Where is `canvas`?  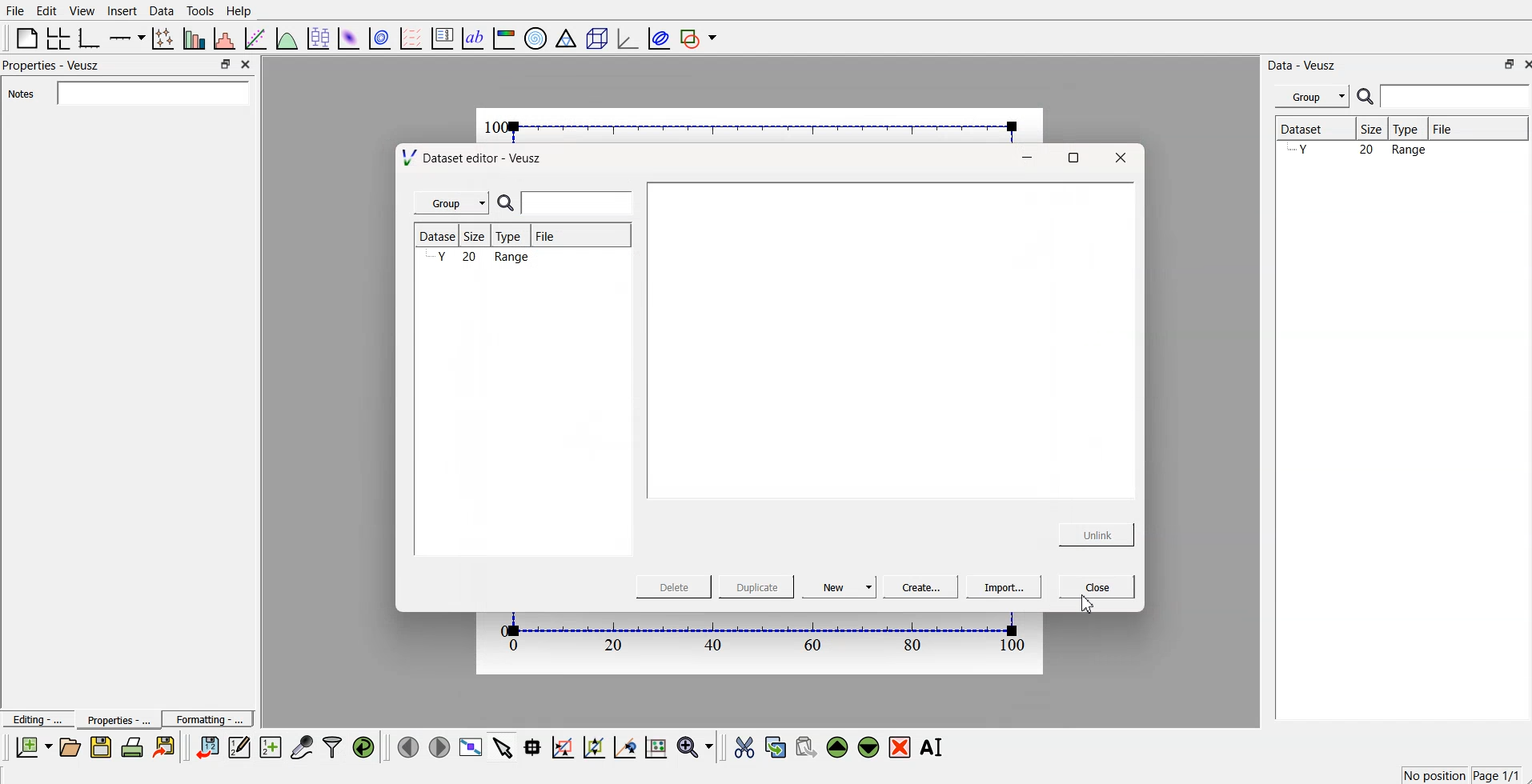
canvas is located at coordinates (761, 643).